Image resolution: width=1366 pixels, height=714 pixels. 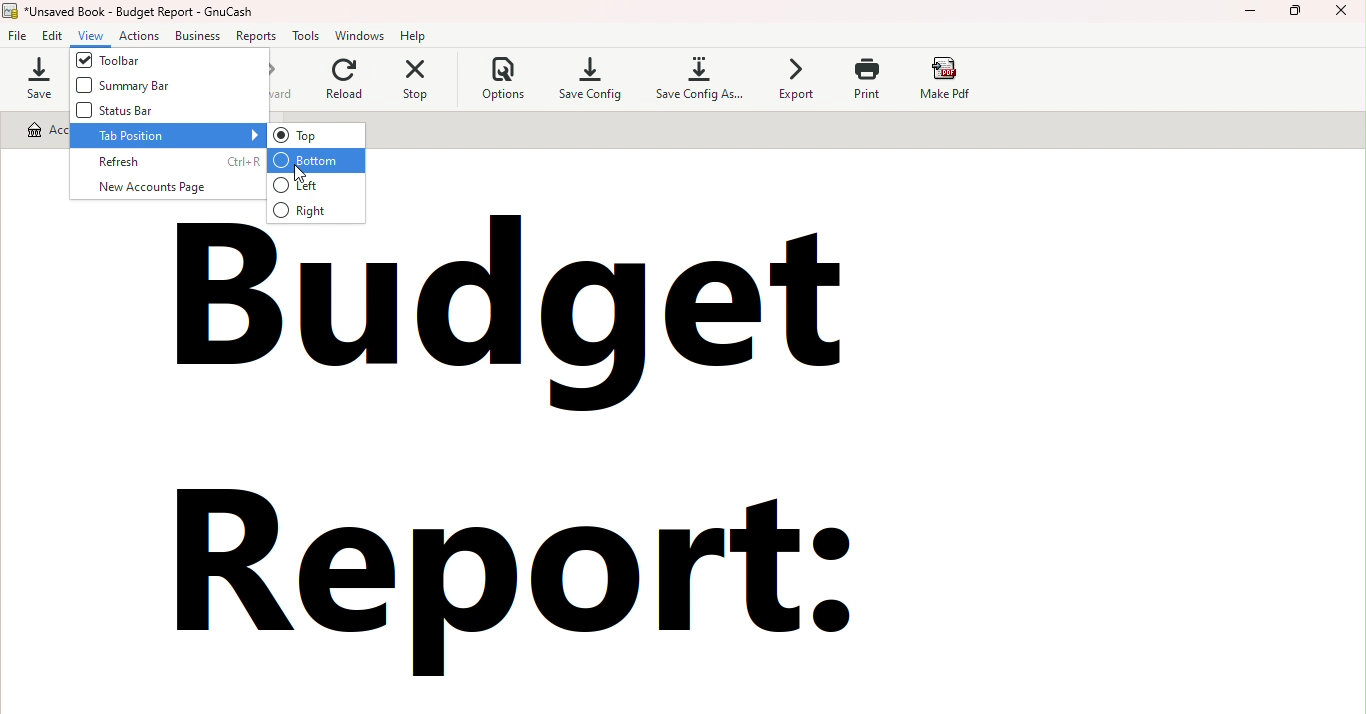 What do you see at coordinates (340, 81) in the screenshot?
I see `Reload` at bounding box center [340, 81].